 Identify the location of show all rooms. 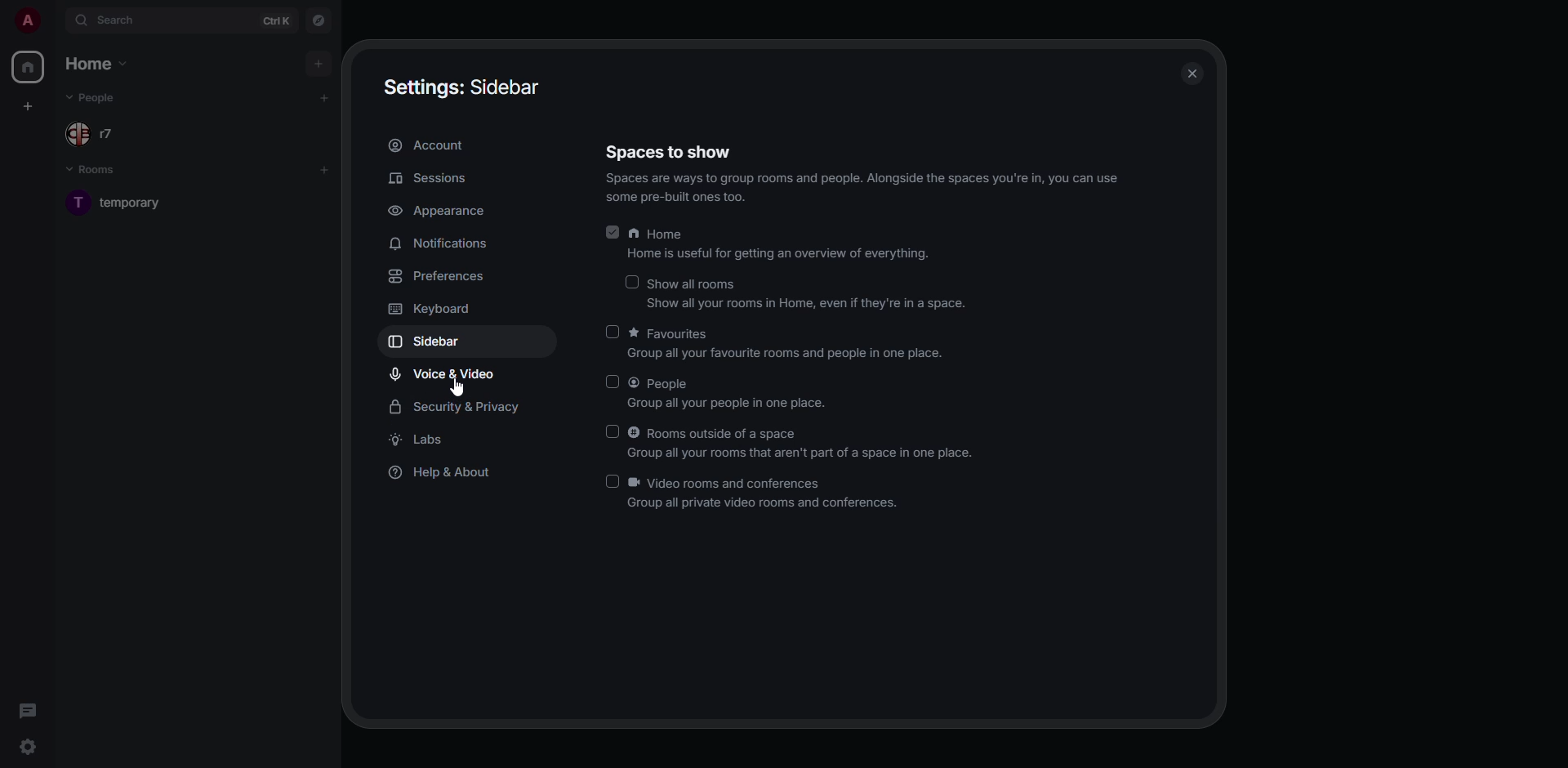
(808, 294).